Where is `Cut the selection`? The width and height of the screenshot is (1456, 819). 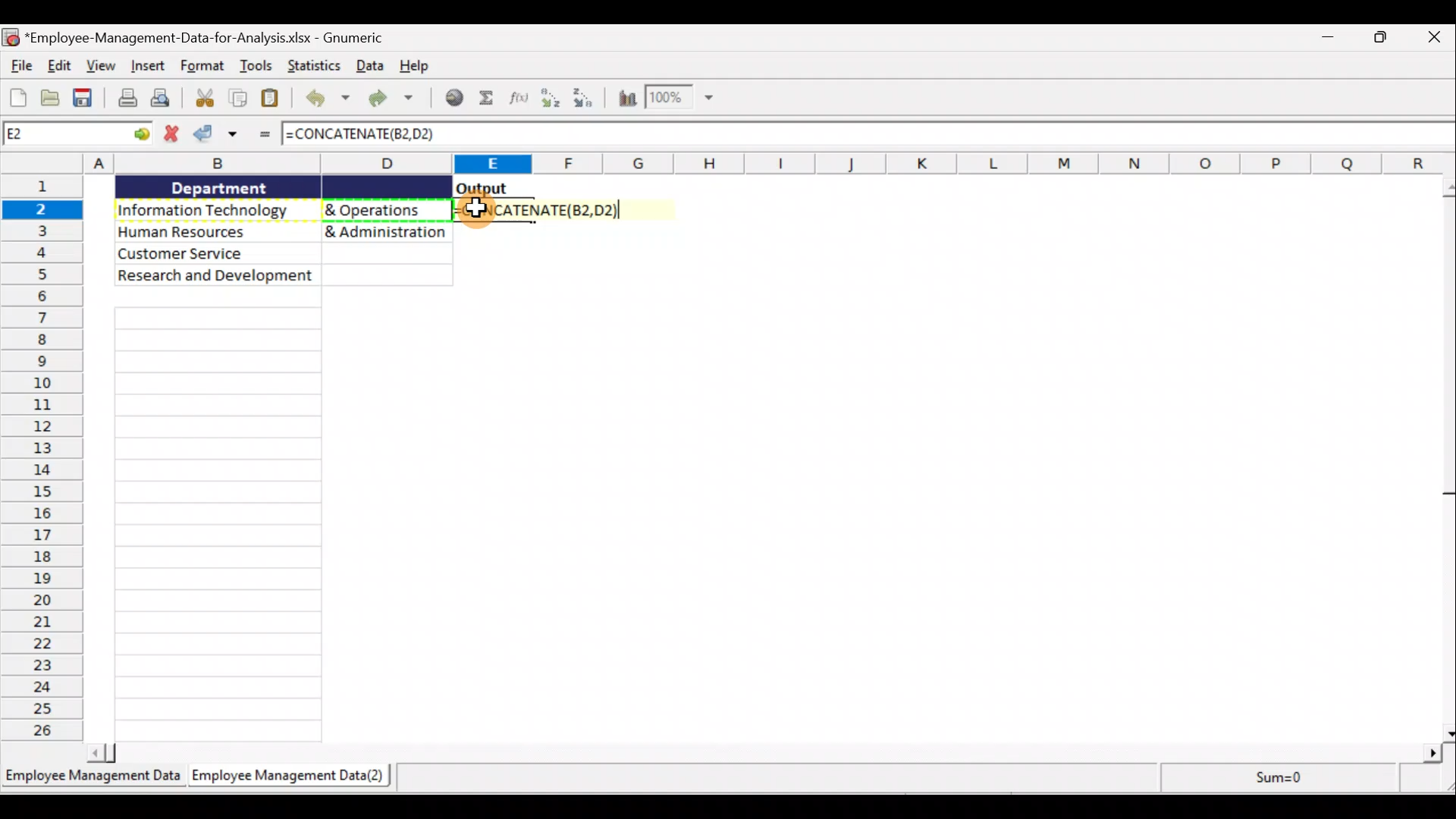
Cut the selection is located at coordinates (204, 99).